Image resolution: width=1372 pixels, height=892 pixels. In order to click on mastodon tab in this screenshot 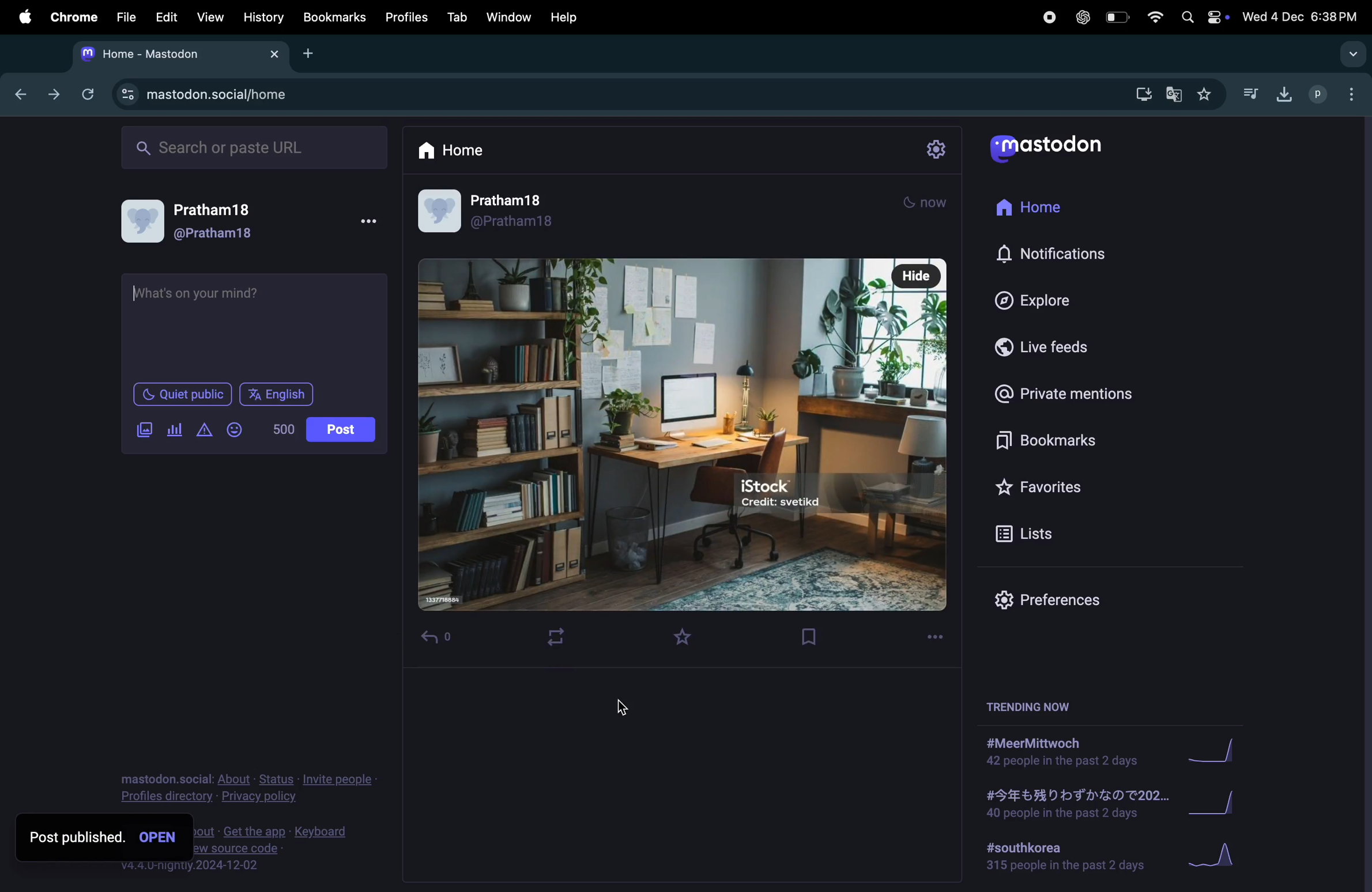, I will do `click(174, 55)`.